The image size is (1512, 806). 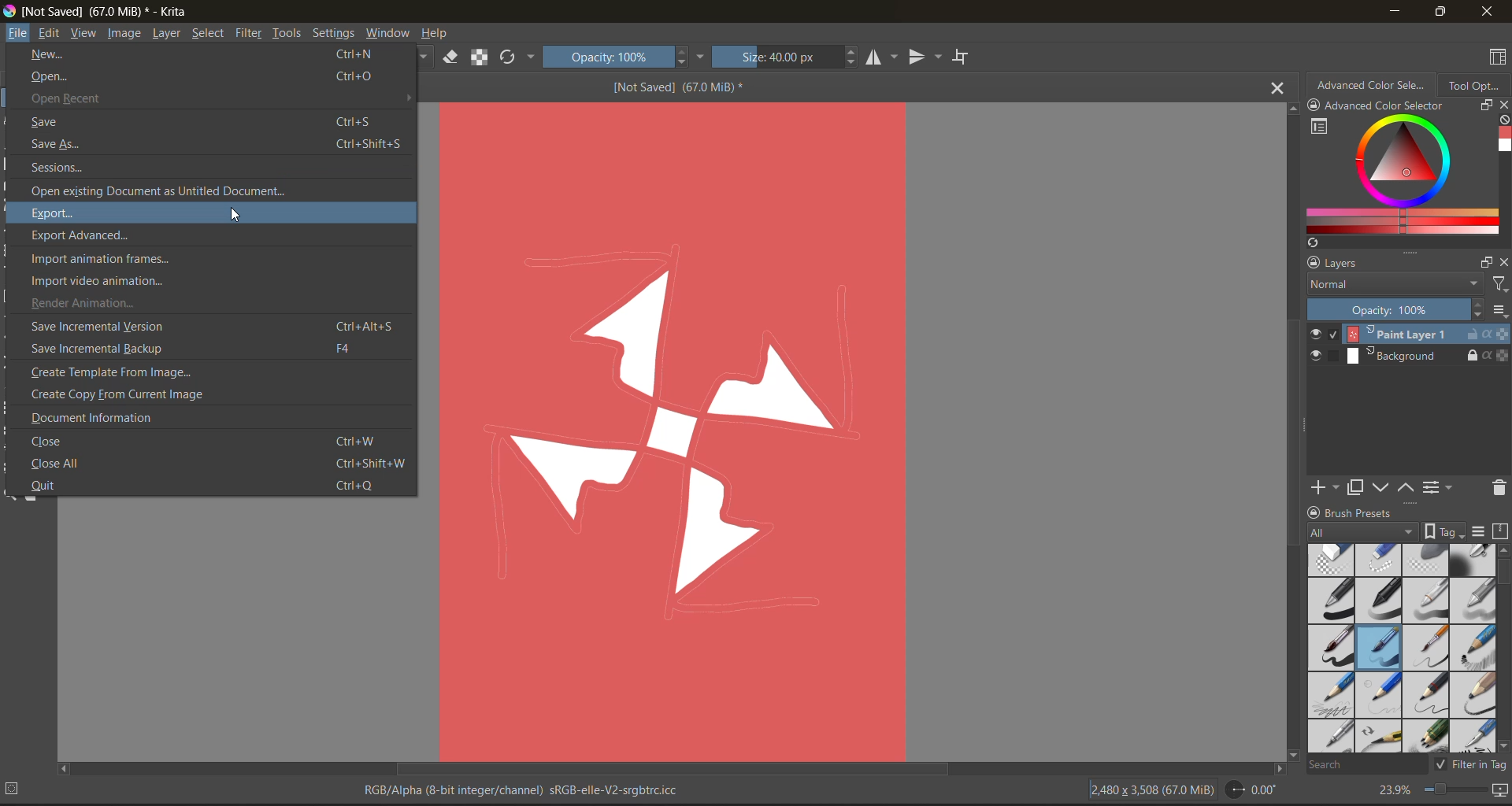 What do you see at coordinates (210, 35) in the screenshot?
I see `select` at bounding box center [210, 35].